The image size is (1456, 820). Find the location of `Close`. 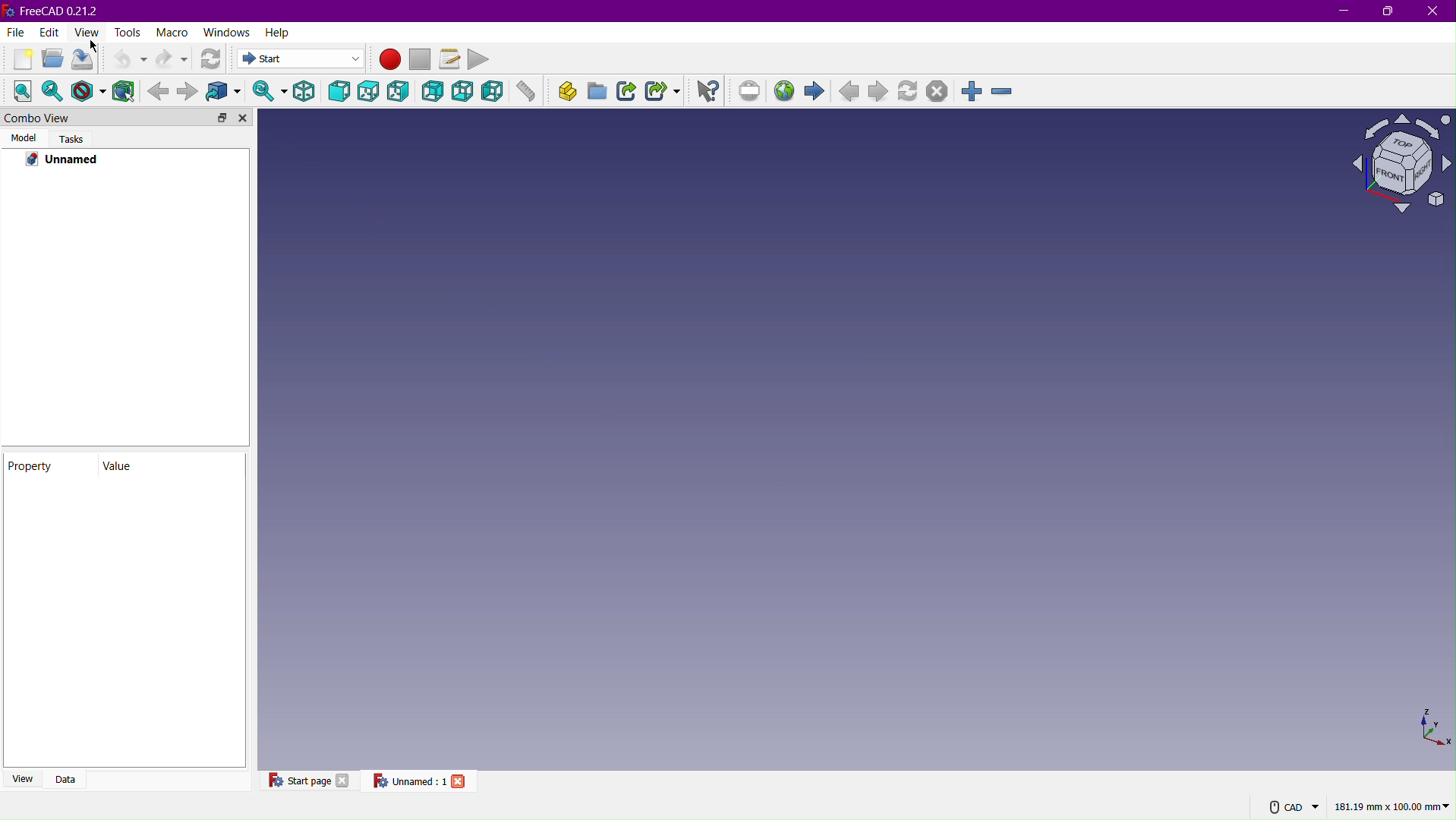

Close is located at coordinates (1433, 10).